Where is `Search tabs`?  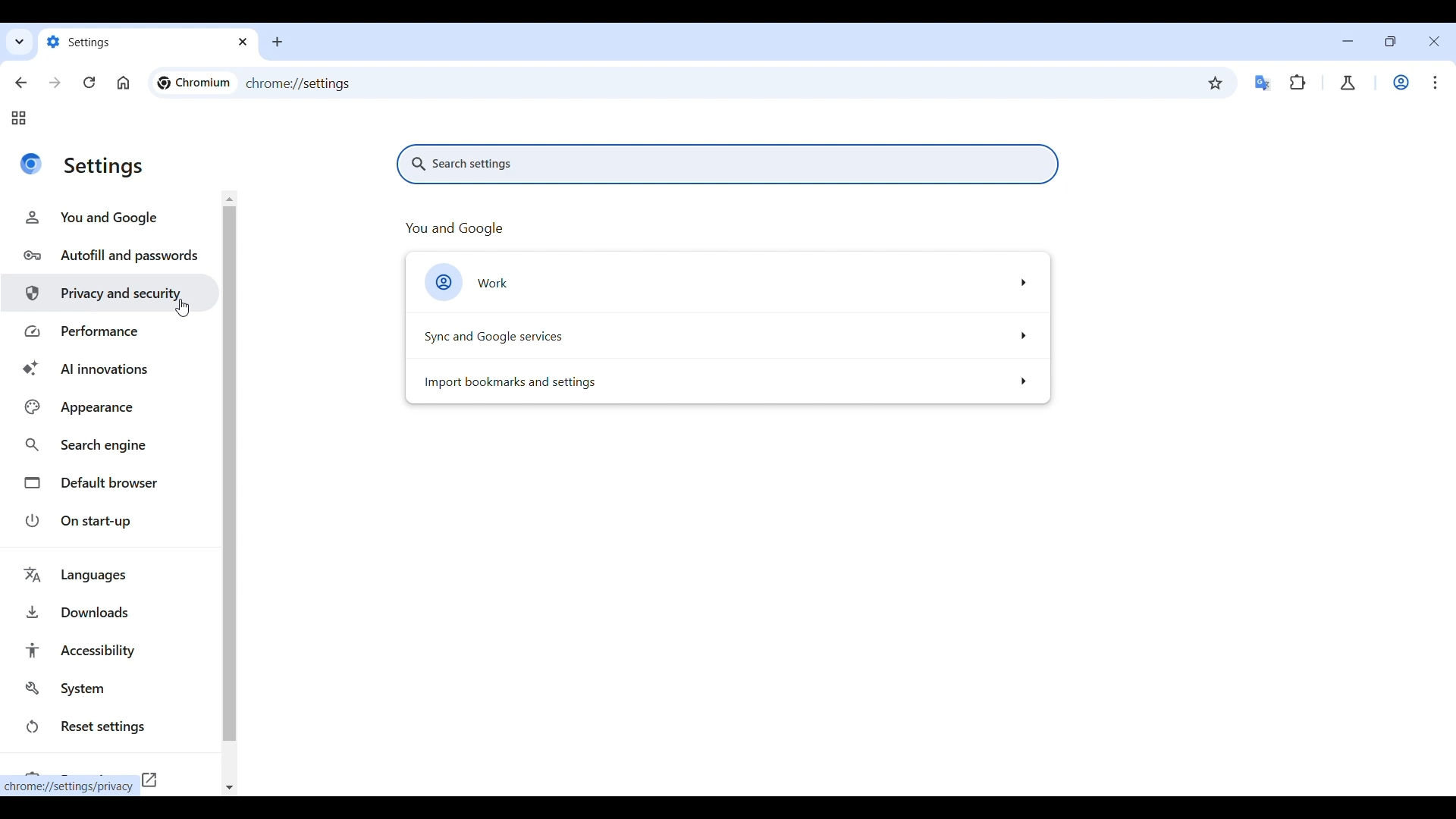 Search tabs is located at coordinates (20, 42).